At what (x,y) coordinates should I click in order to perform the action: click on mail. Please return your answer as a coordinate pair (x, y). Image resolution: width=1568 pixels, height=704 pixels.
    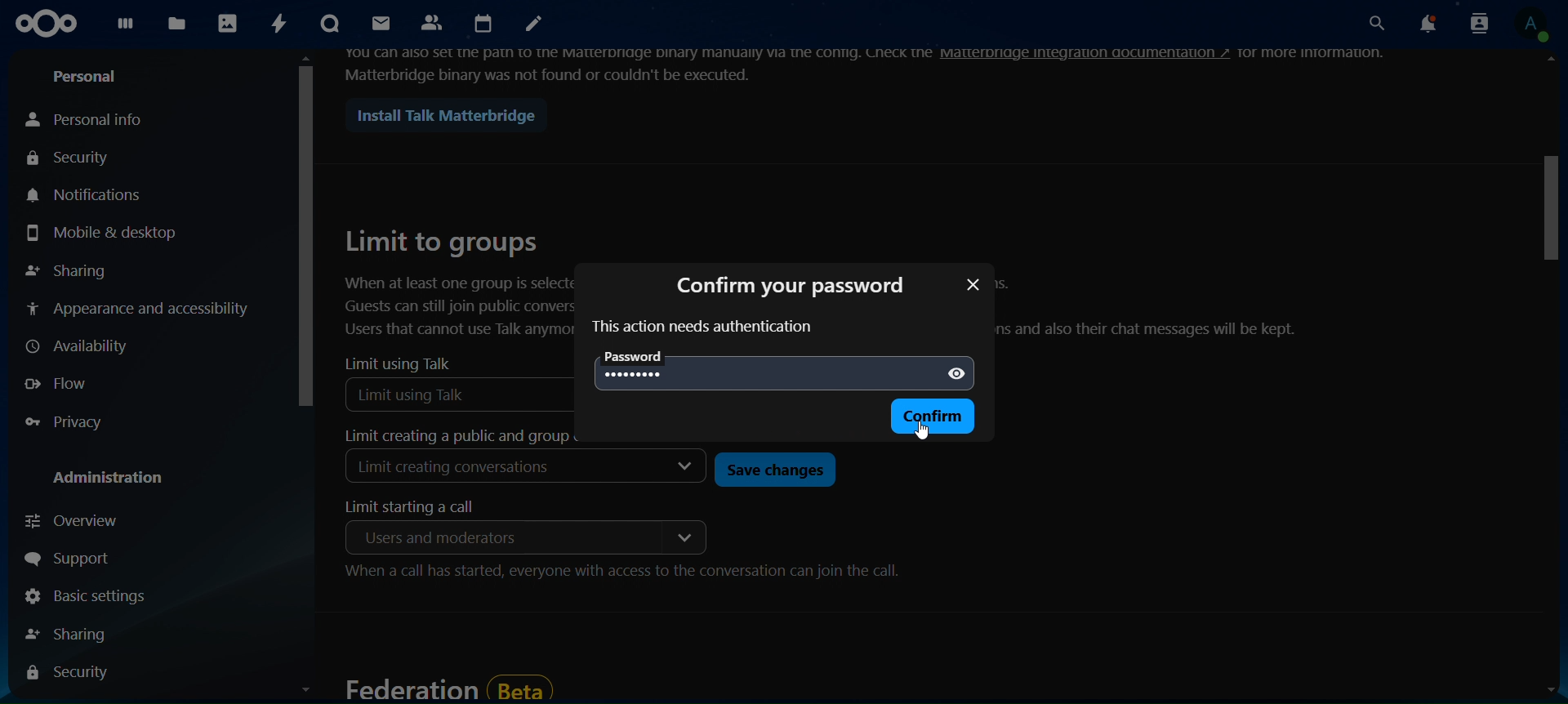
    Looking at the image, I should click on (378, 23).